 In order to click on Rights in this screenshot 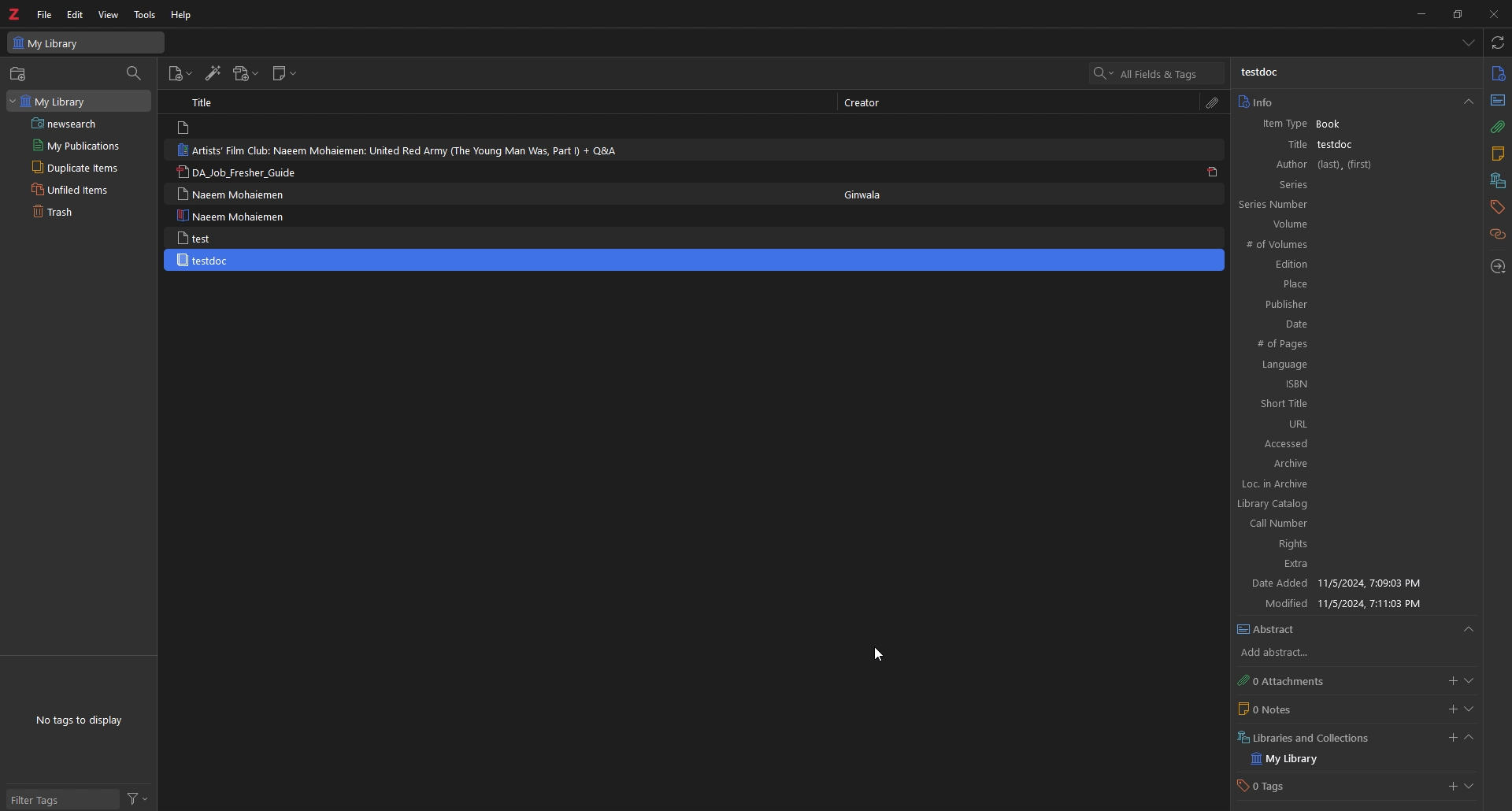, I will do `click(1343, 546)`.